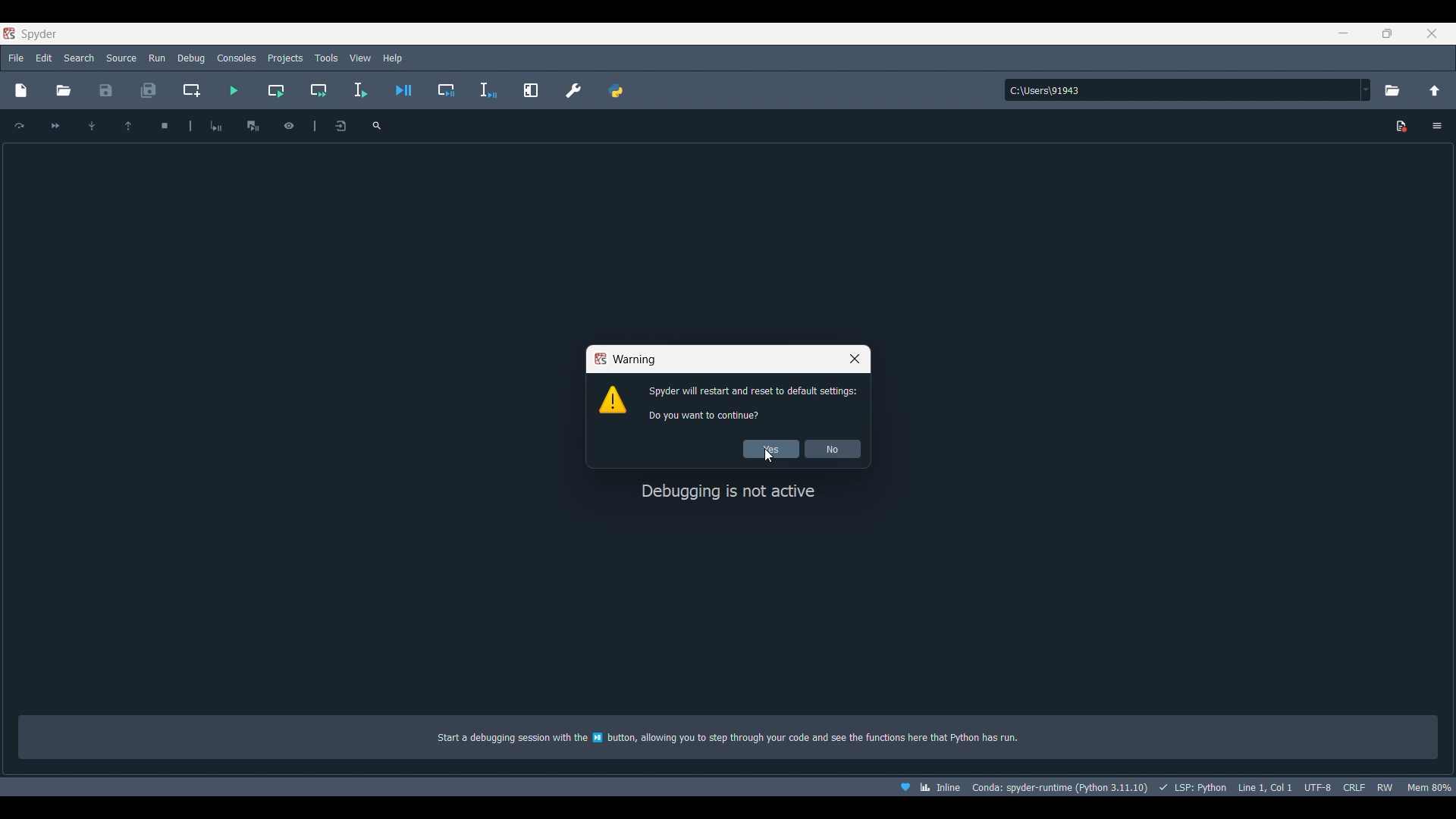 The image size is (1456, 819). Describe the element at coordinates (128, 124) in the screenshot. I see `move up` at that location.